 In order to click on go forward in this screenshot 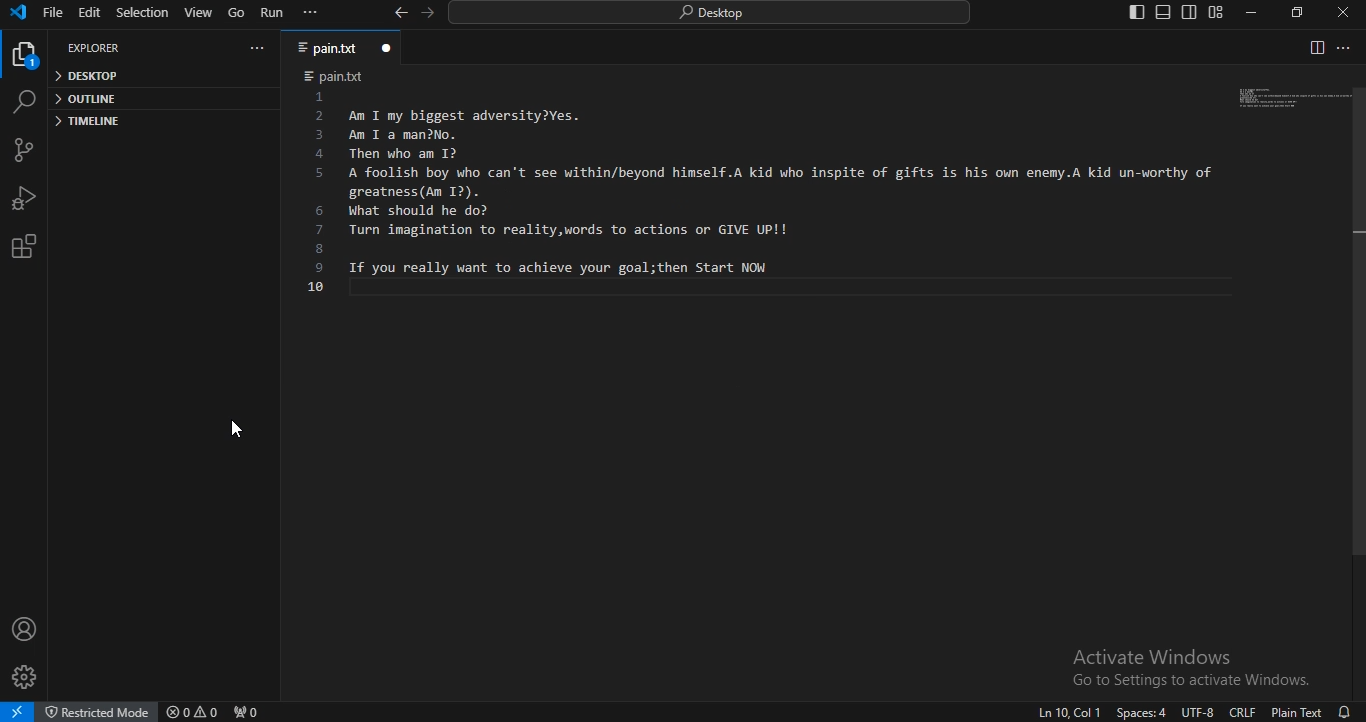, I will do `click(430, 13)`.